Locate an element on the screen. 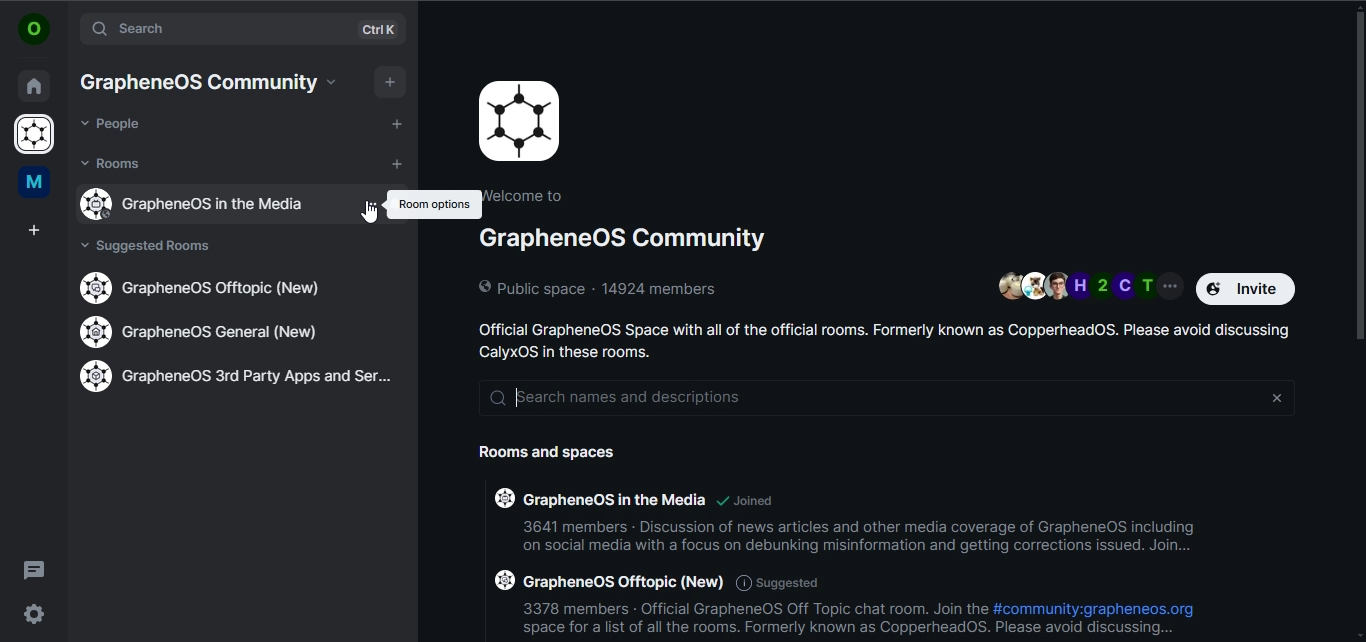 The image size is (1366, 642). room options is located at coordinates (431, 204).